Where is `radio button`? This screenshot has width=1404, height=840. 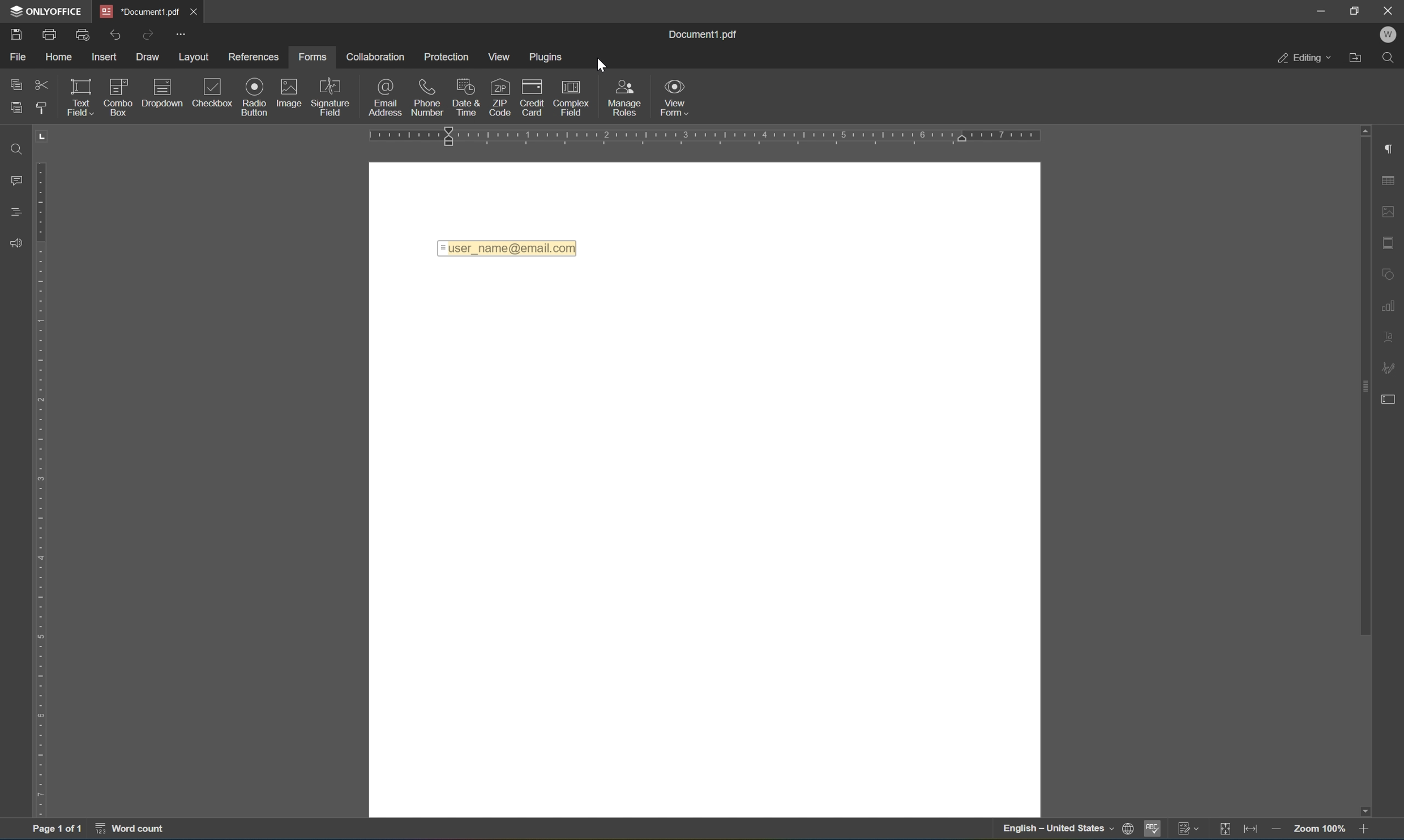 radio button is located at coordinates (255, 96).